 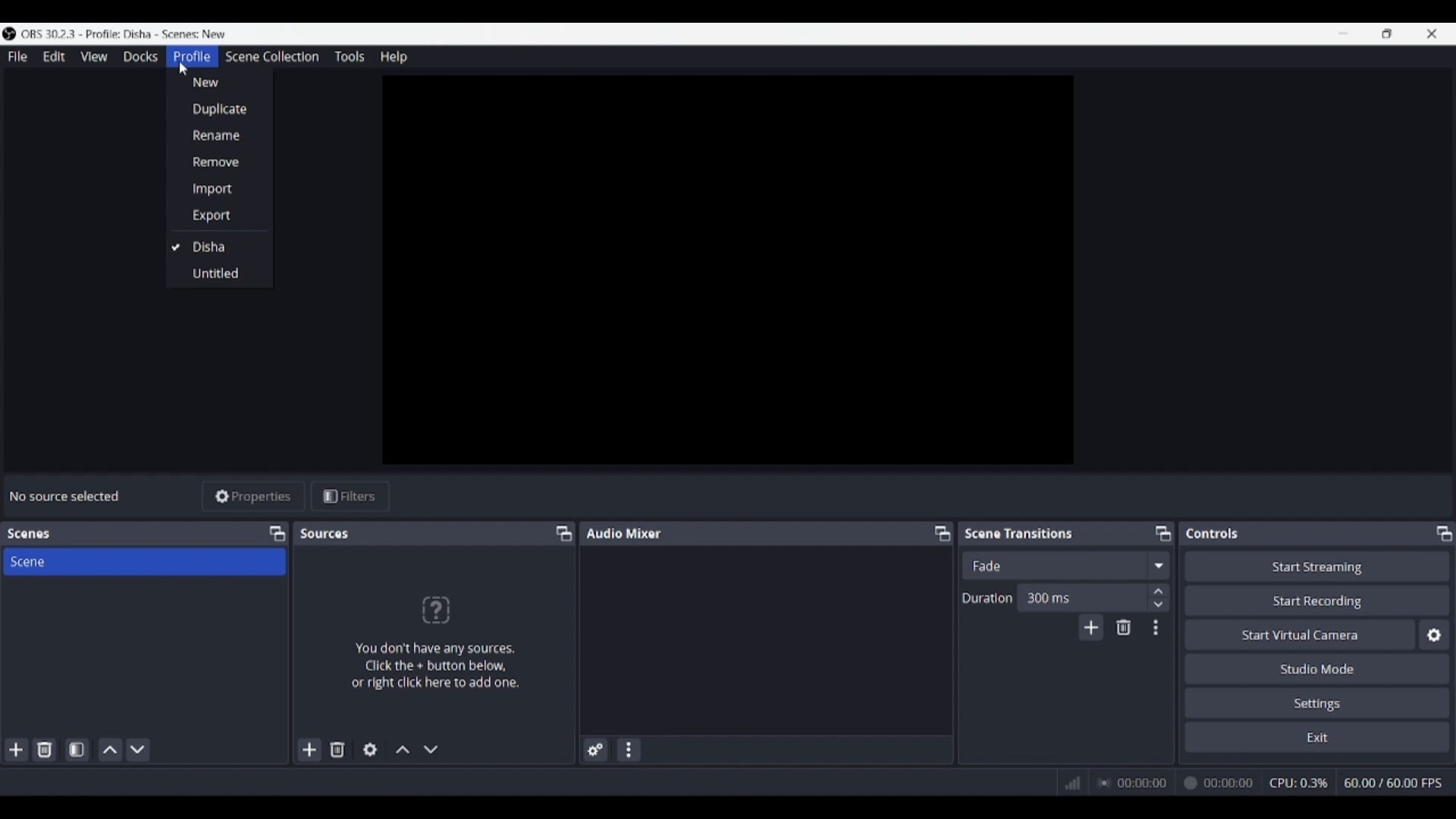 What do you see at coordinates (1387, 33) in the screenshot?
I see `Show interface in a smaller tab` at bounding box center [1387, 33].